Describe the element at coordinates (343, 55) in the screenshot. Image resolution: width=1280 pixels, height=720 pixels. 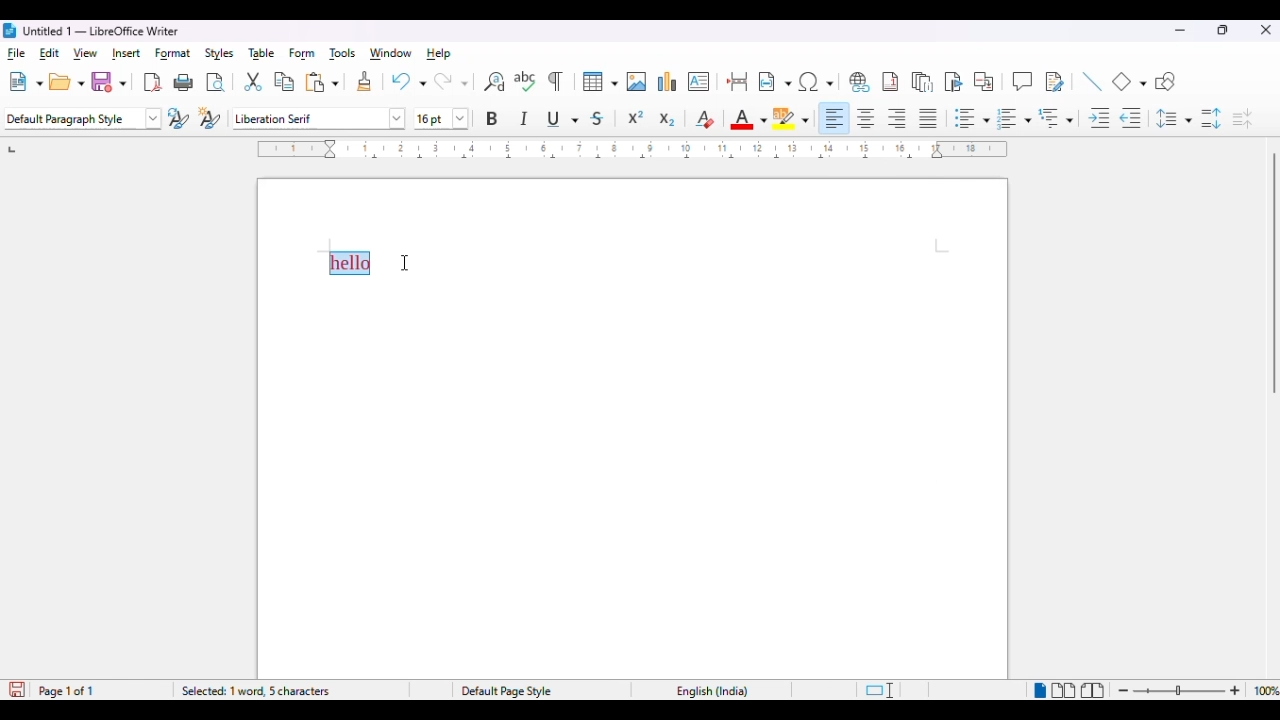
I see `tools` at that location.